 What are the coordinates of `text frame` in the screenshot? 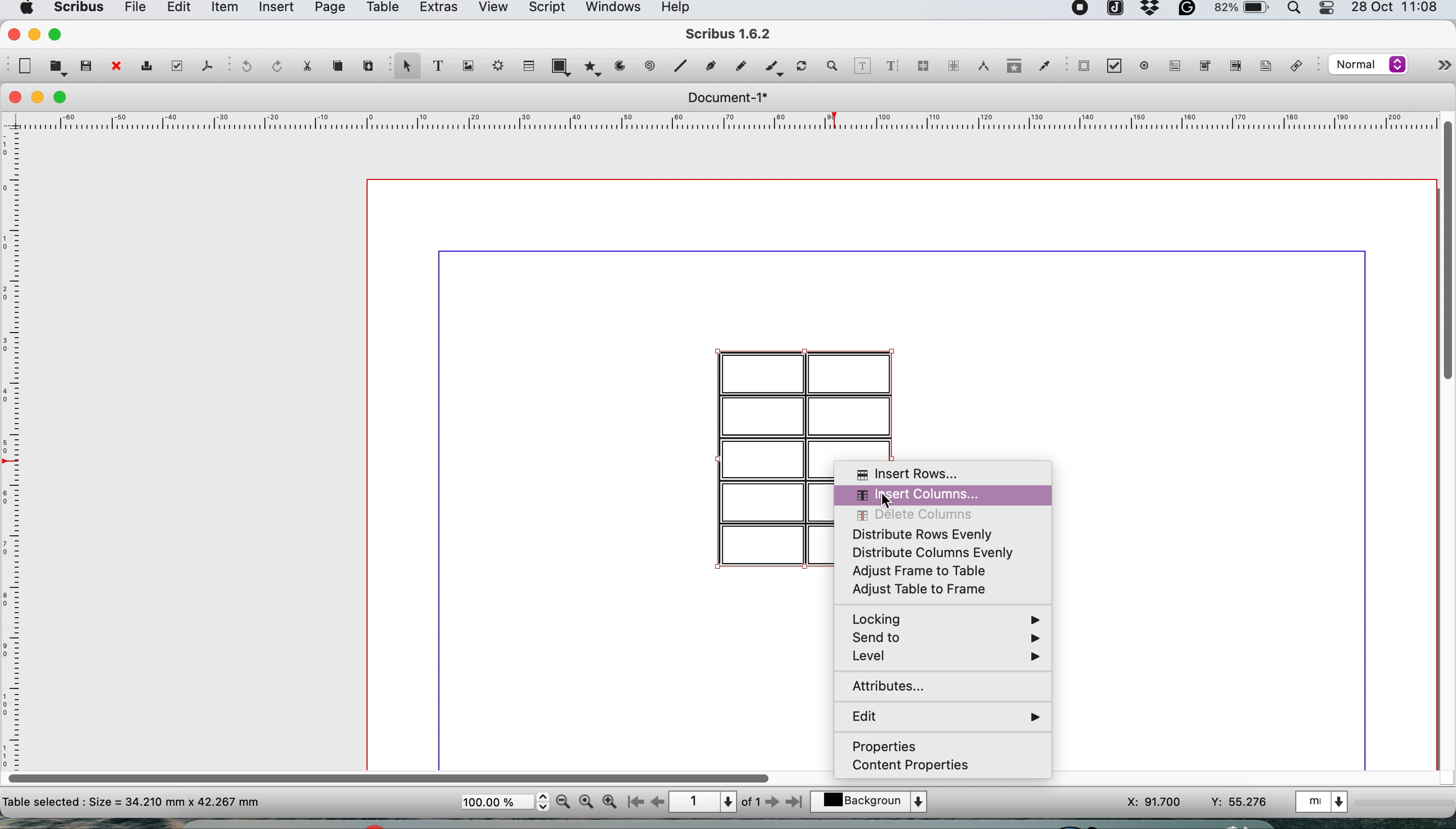 It's located at (437, 68).